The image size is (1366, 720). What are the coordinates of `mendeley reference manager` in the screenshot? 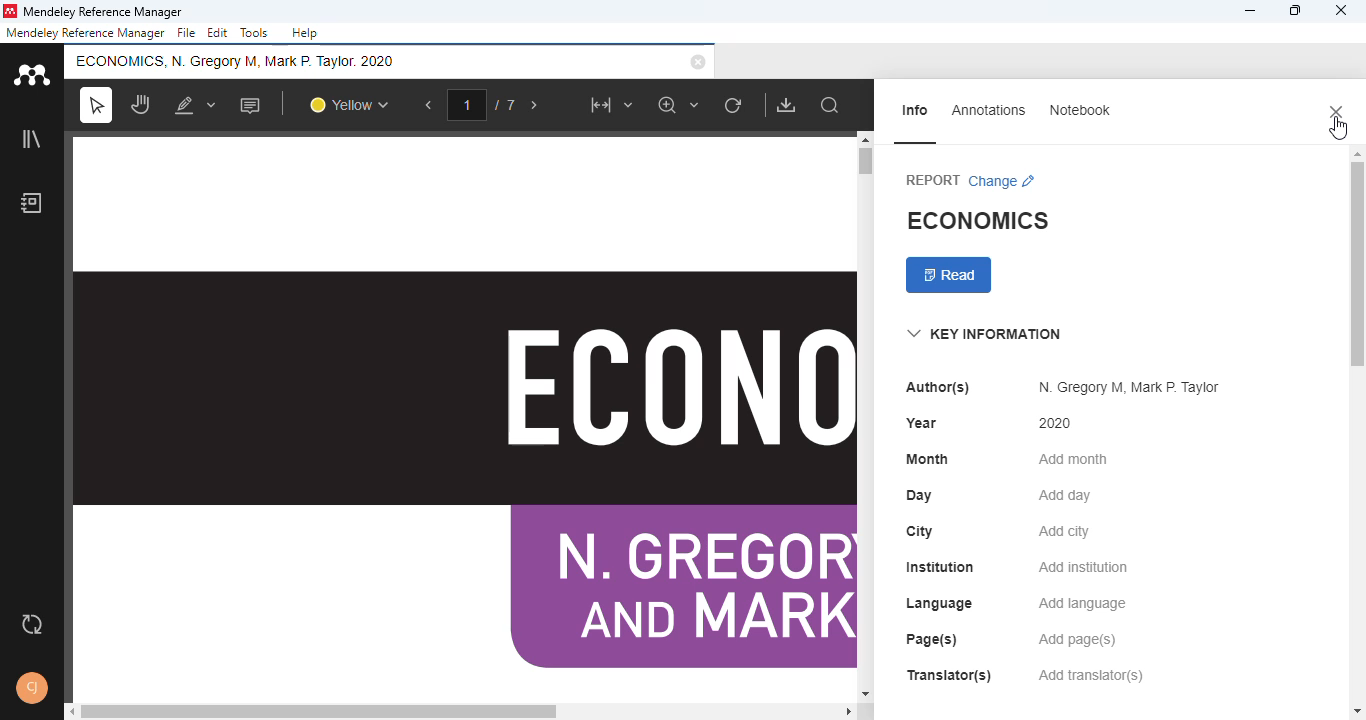 It's located at (85, 33).